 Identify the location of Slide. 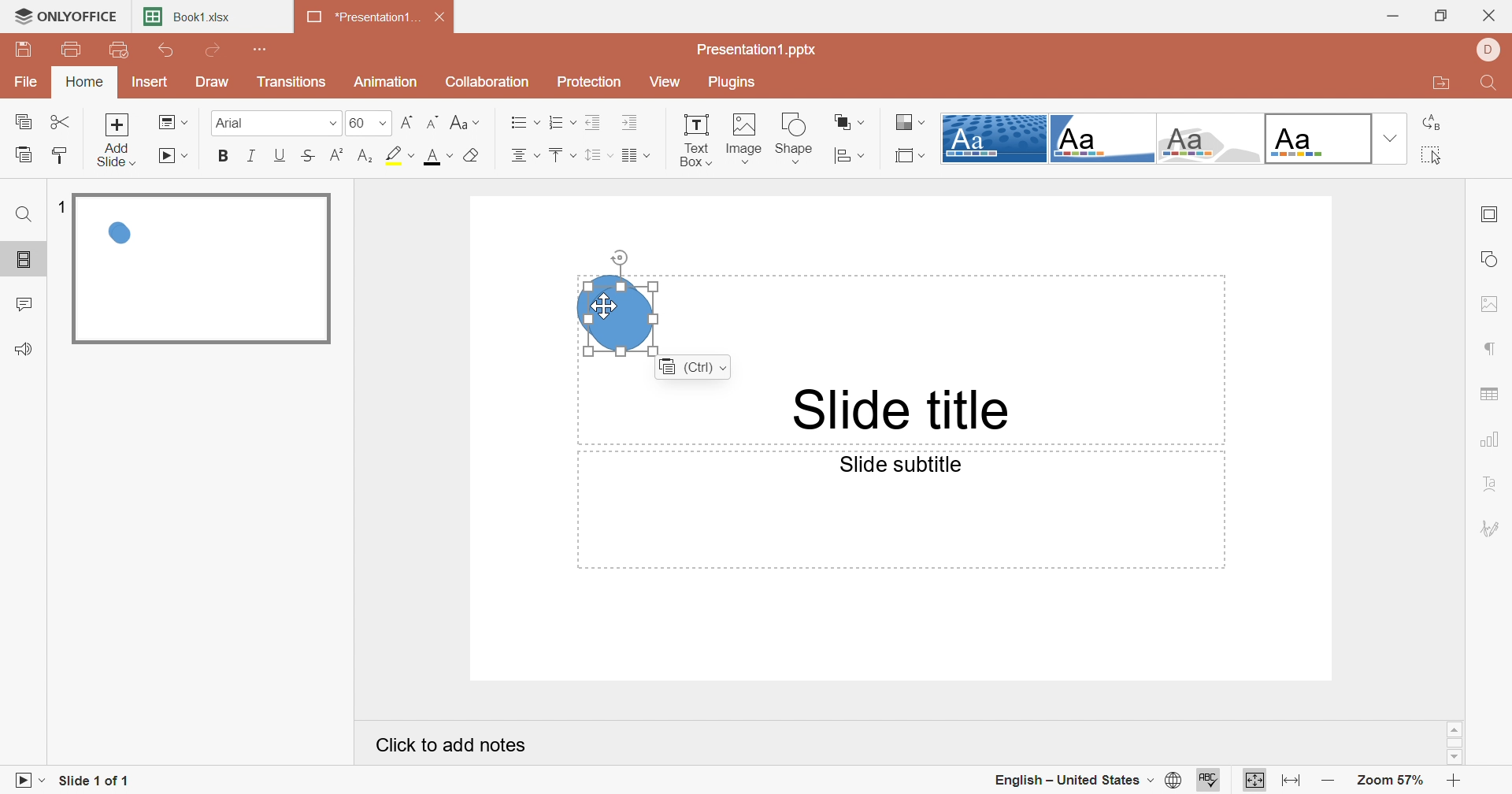
(201, 269).